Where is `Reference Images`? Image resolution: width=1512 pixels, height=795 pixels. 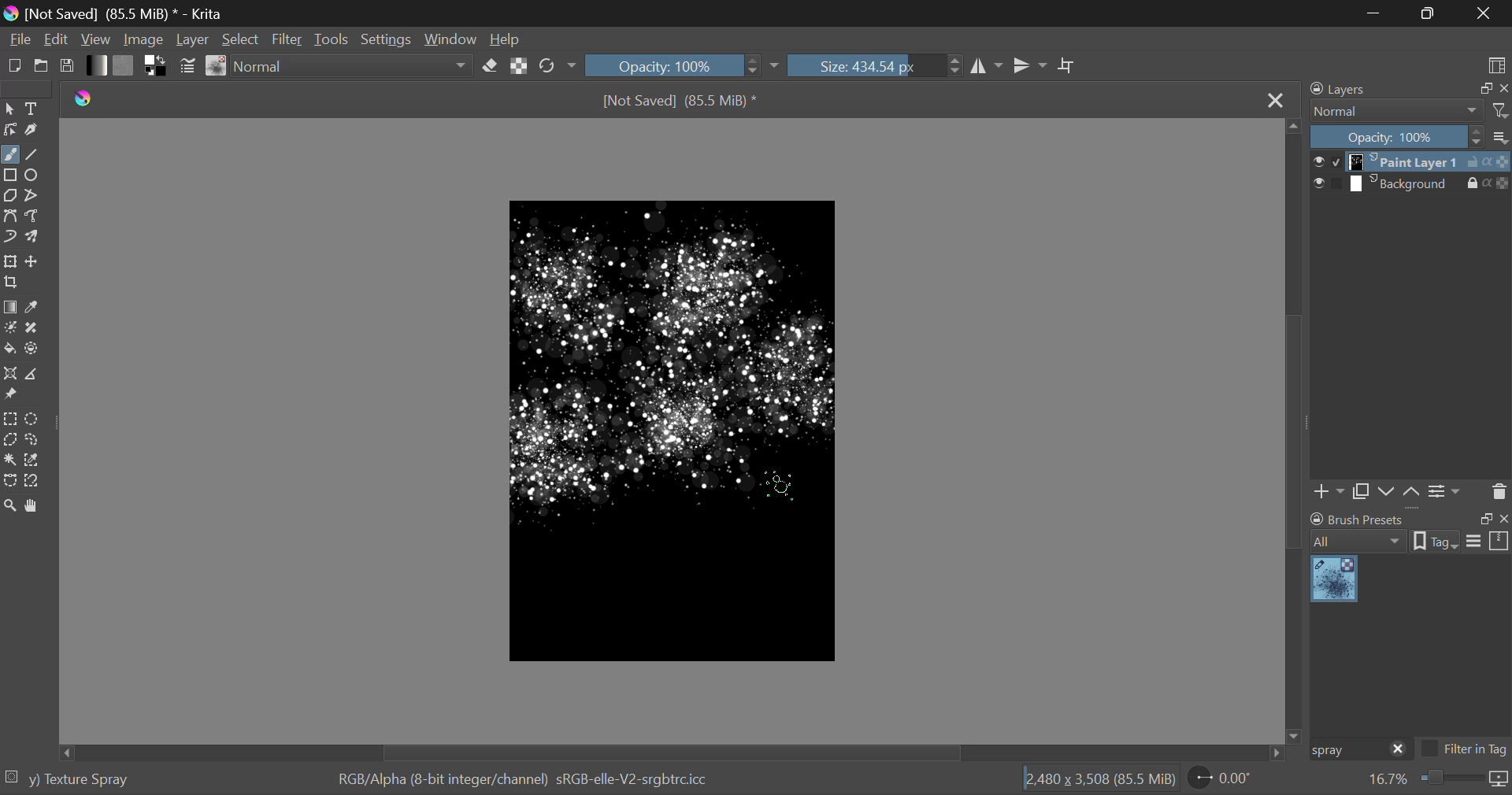
Reference Images is located at coordinates (9, 394).